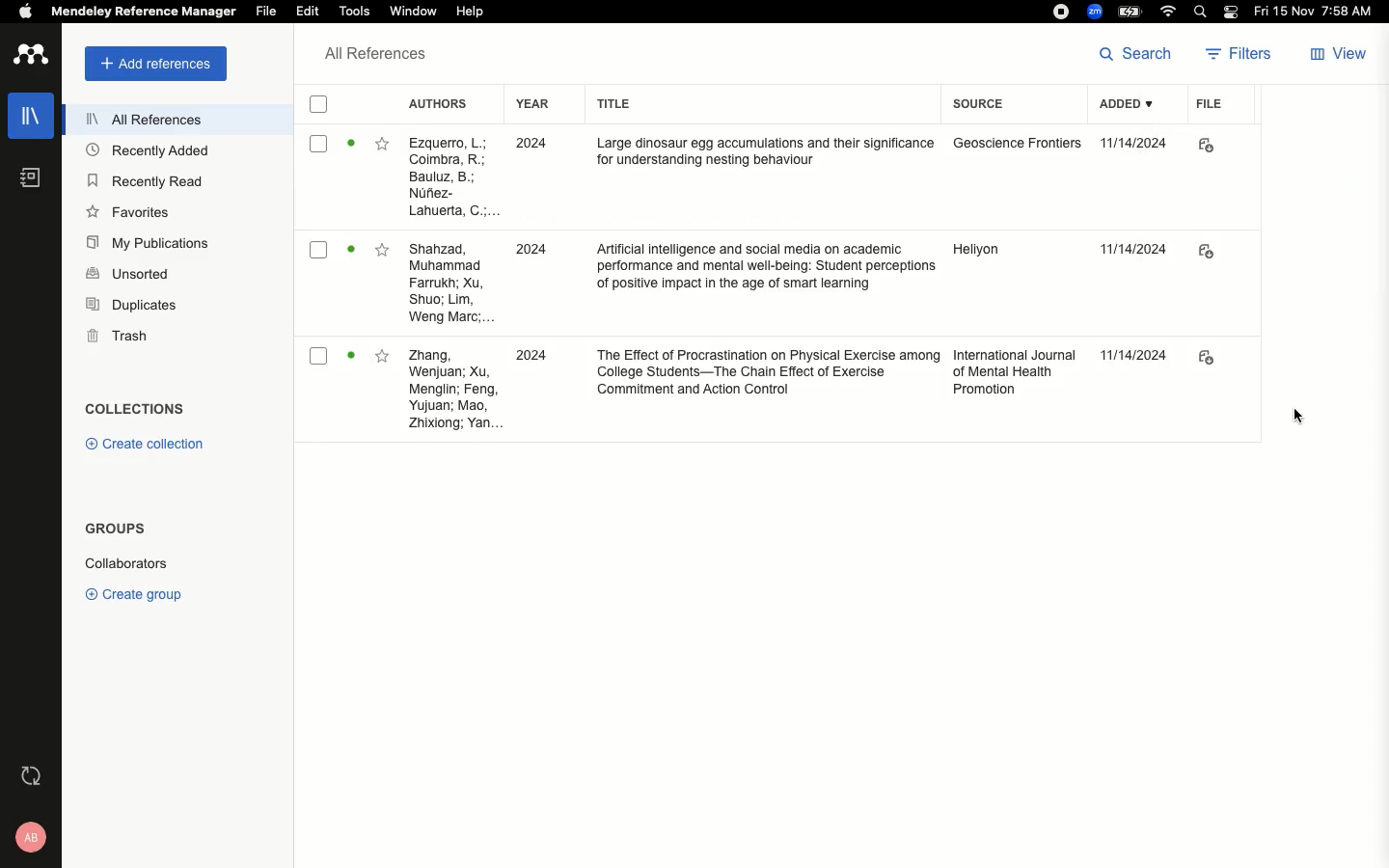 This screenshot has width=1389, height=868. Describe the element at coordinates (1140, 145) in the screenshot. I see `11/14/2024` at that location.